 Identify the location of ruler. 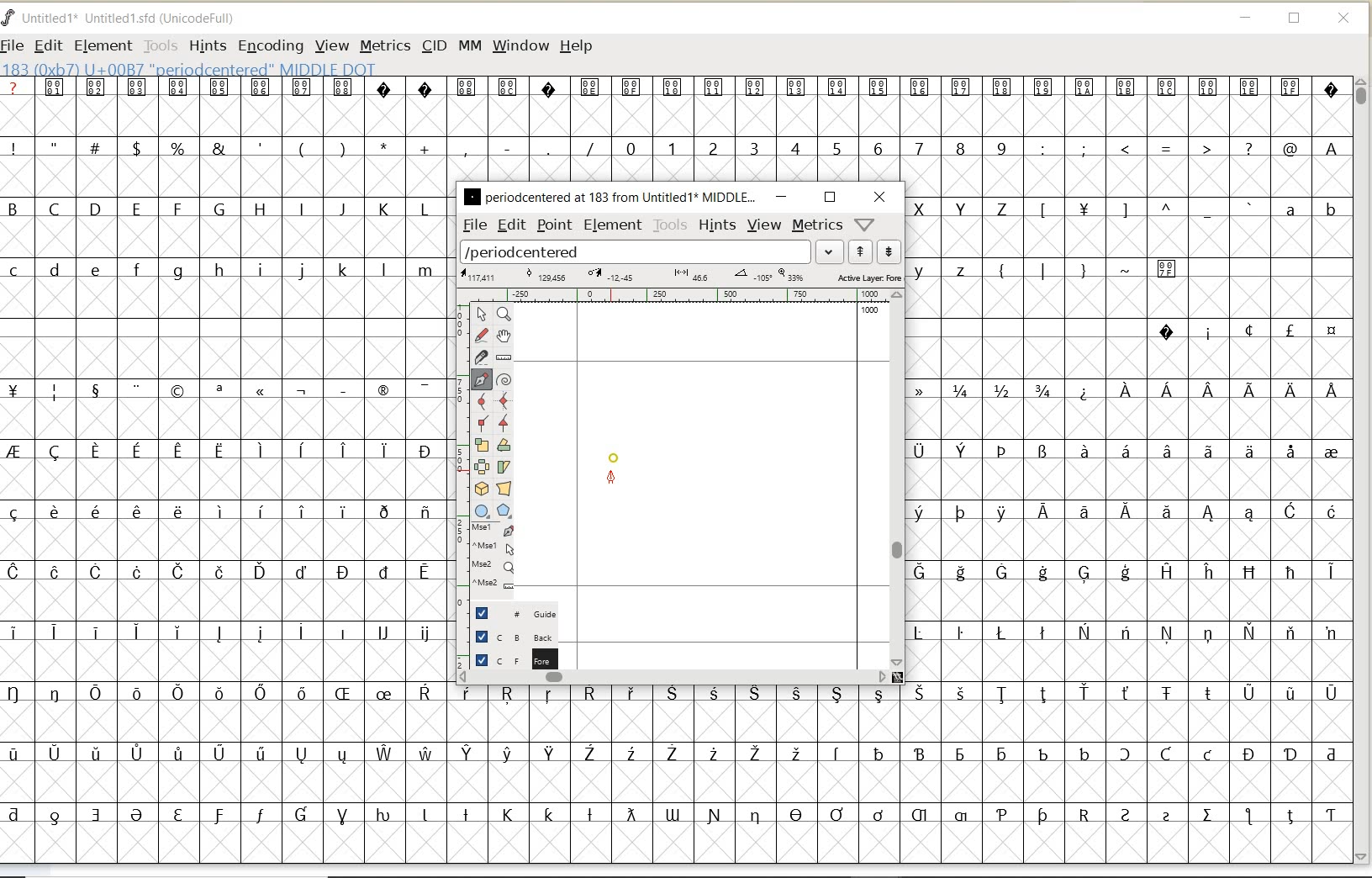
(683, 297).